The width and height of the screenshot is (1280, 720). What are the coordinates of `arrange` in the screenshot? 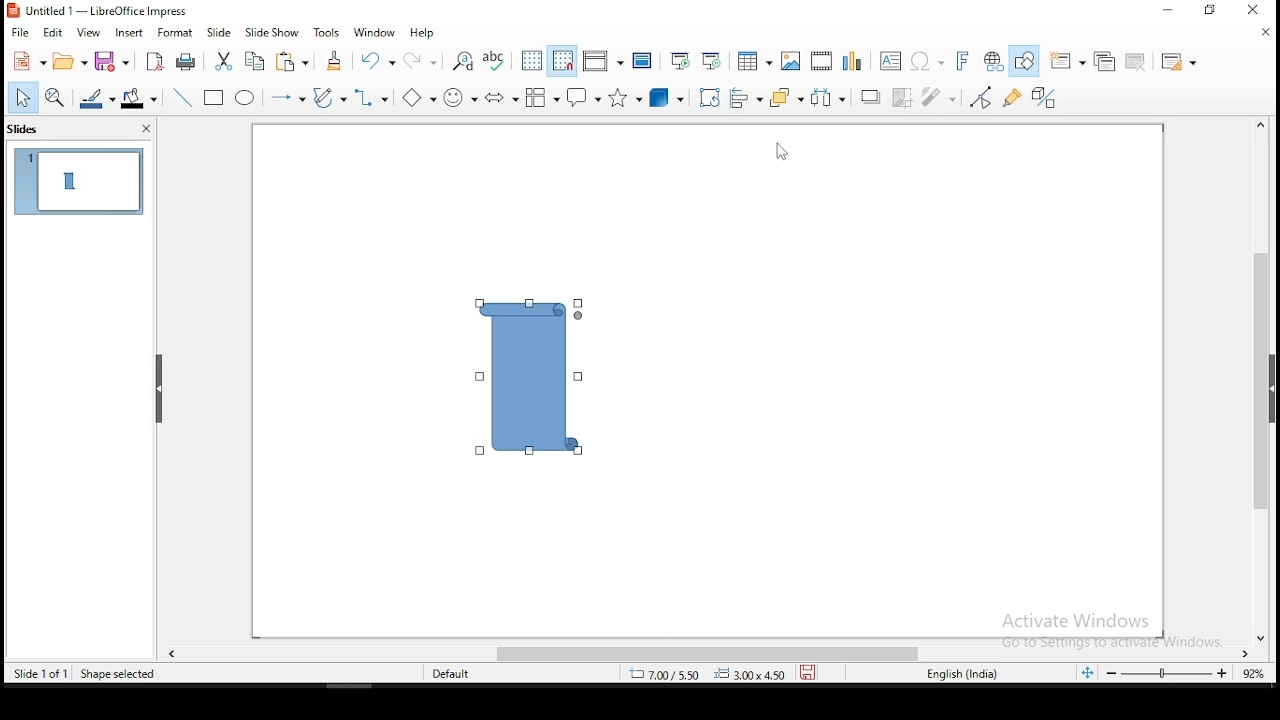 It's located at (786, 98).